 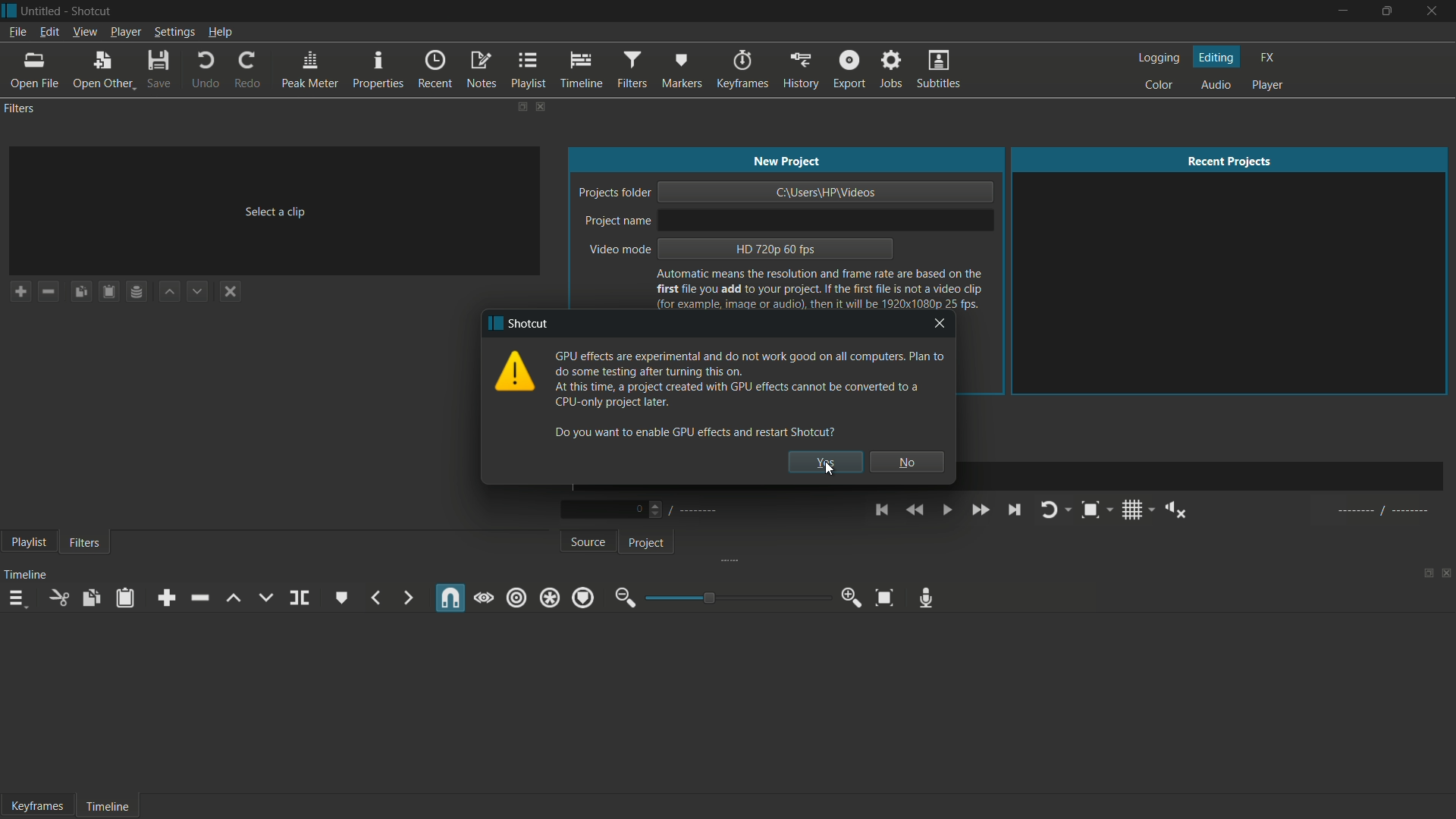 I want to click on redo, so click(x=250, y=71).